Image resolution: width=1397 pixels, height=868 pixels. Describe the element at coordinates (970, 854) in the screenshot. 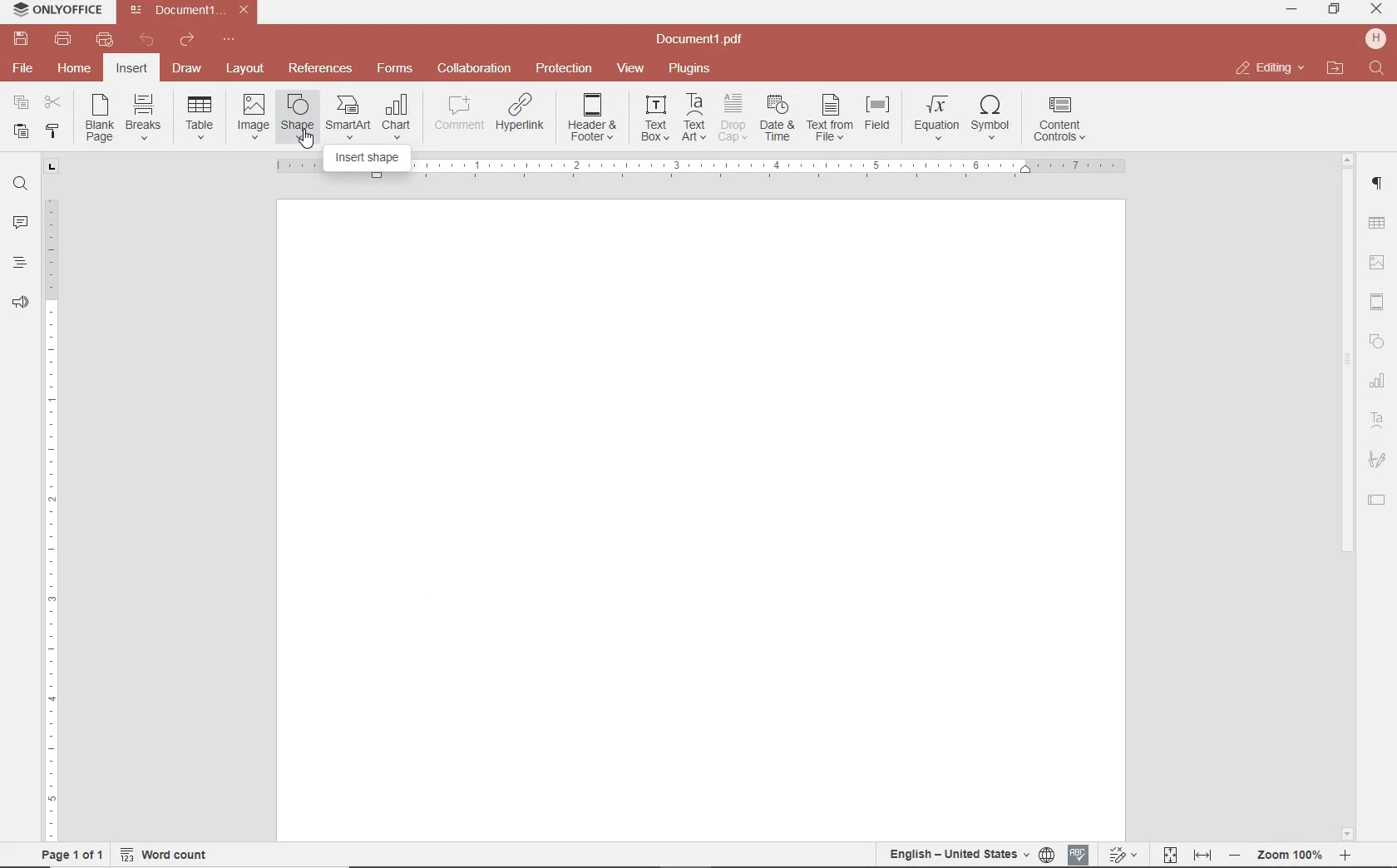

I see `set document language` at that location.